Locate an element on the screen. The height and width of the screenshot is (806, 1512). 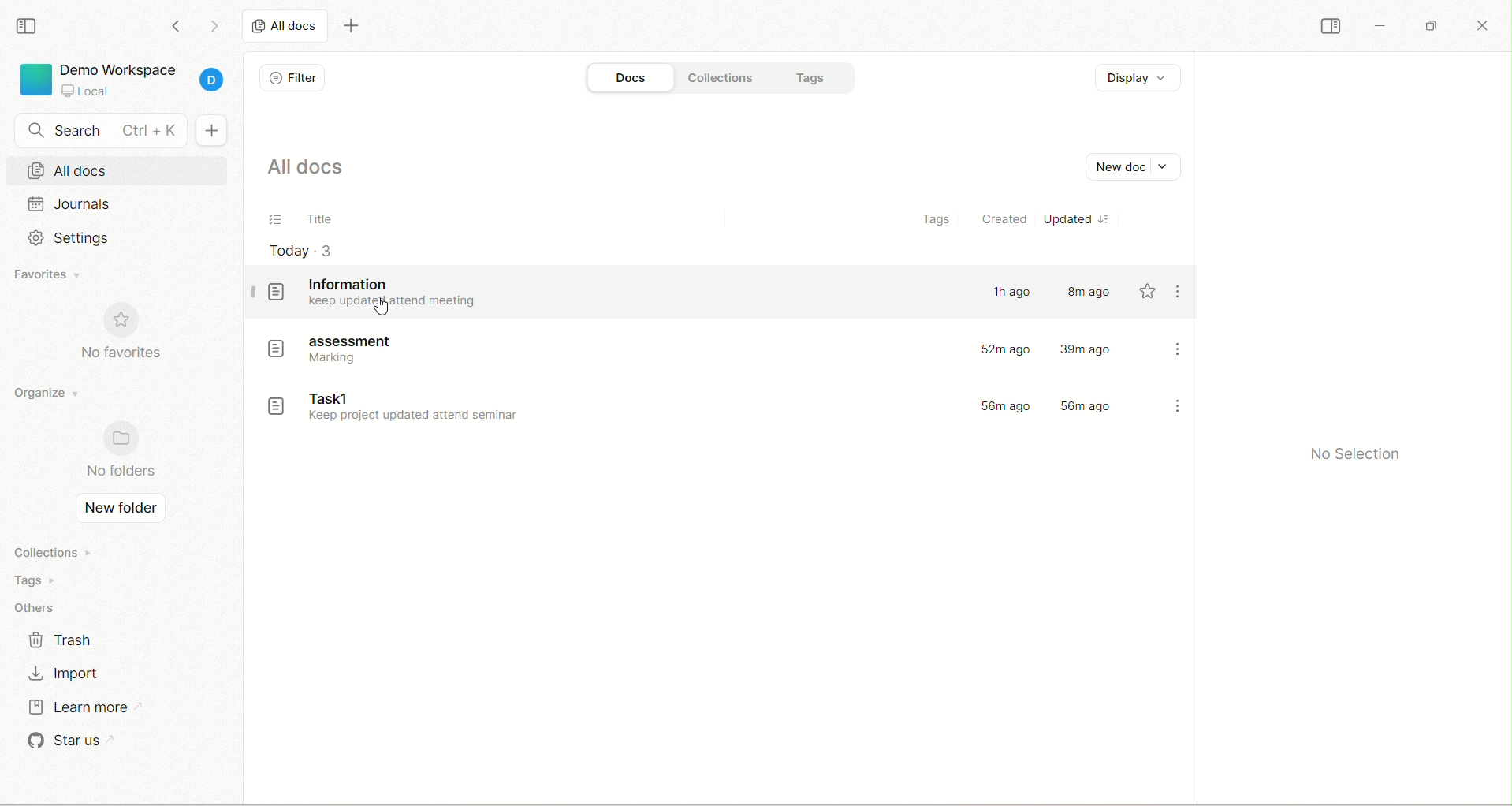
no selection is located at coordinates (1349, 452).